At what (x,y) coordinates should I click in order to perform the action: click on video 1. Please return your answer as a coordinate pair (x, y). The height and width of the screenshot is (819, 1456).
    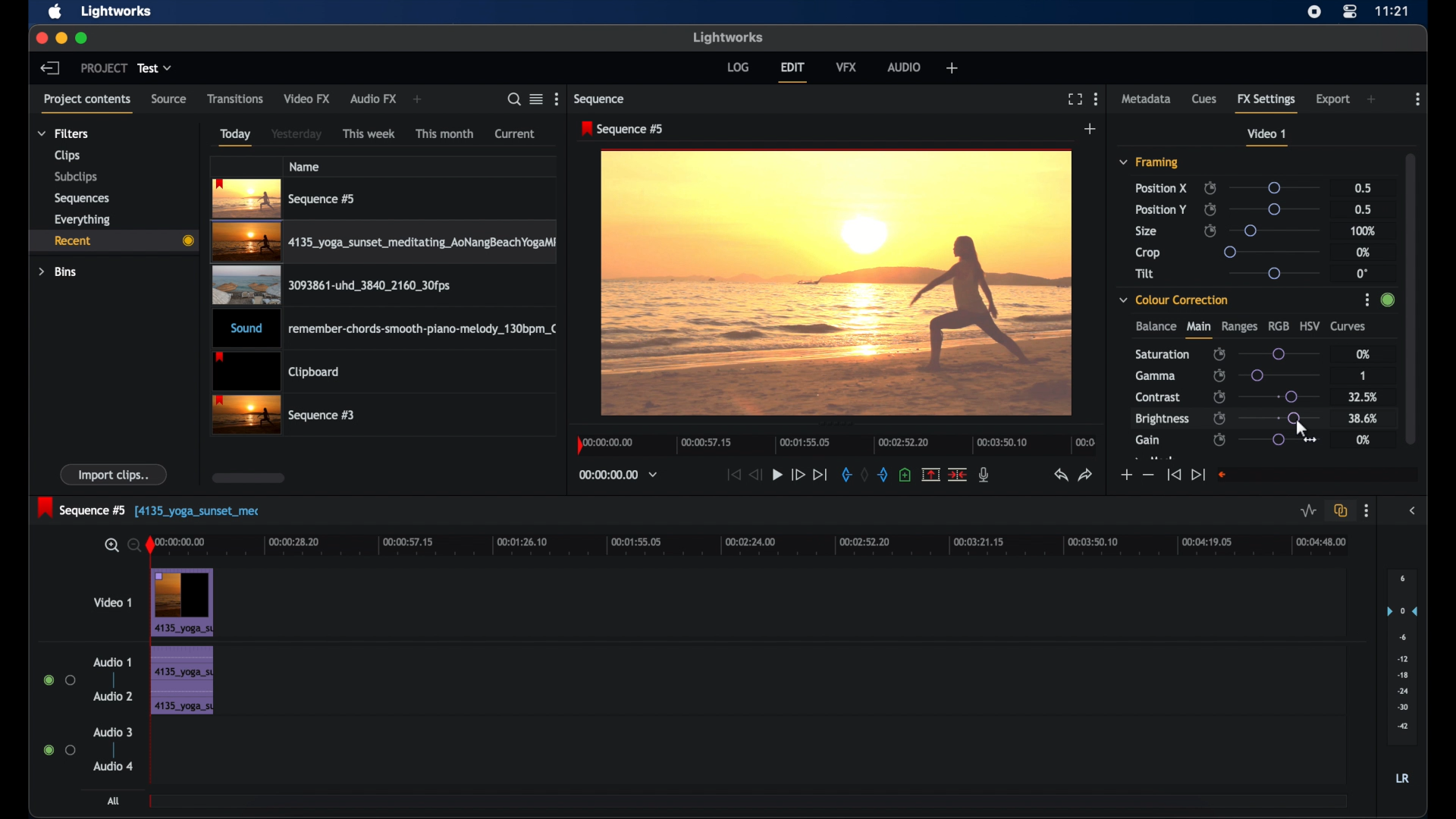
    Looking at the image, I should click on (114, 602).